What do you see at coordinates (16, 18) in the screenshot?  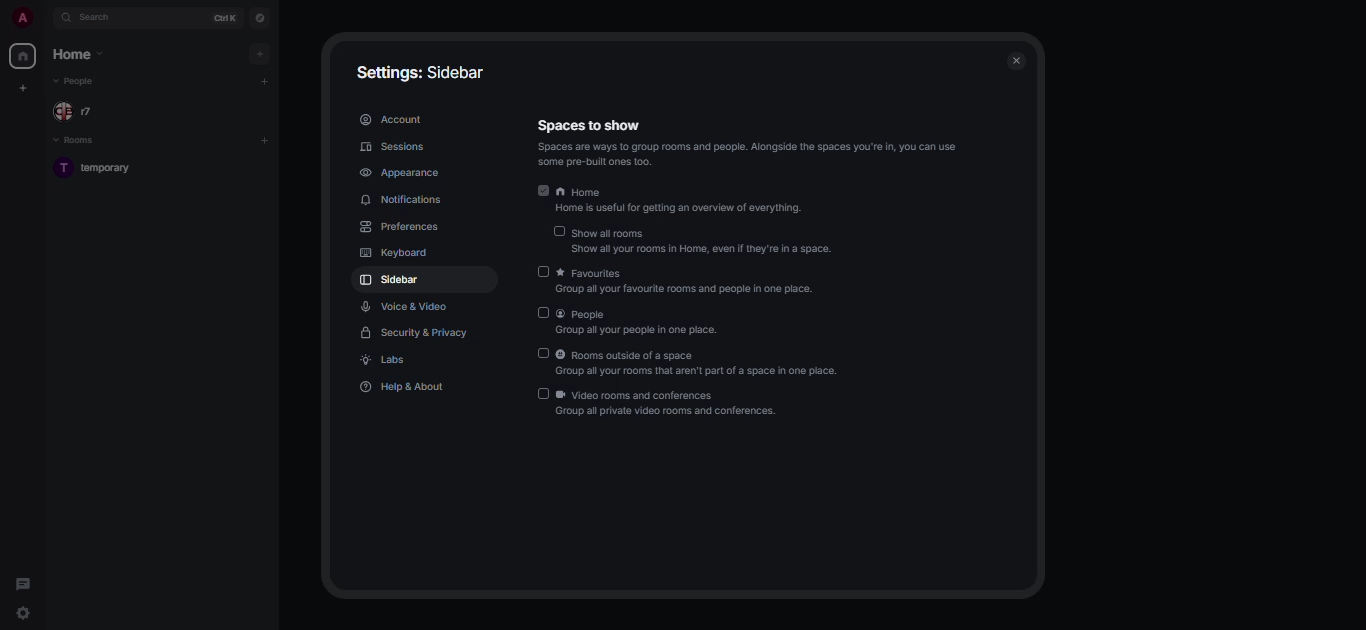 I see `profile` at bounding box center [16, 18].